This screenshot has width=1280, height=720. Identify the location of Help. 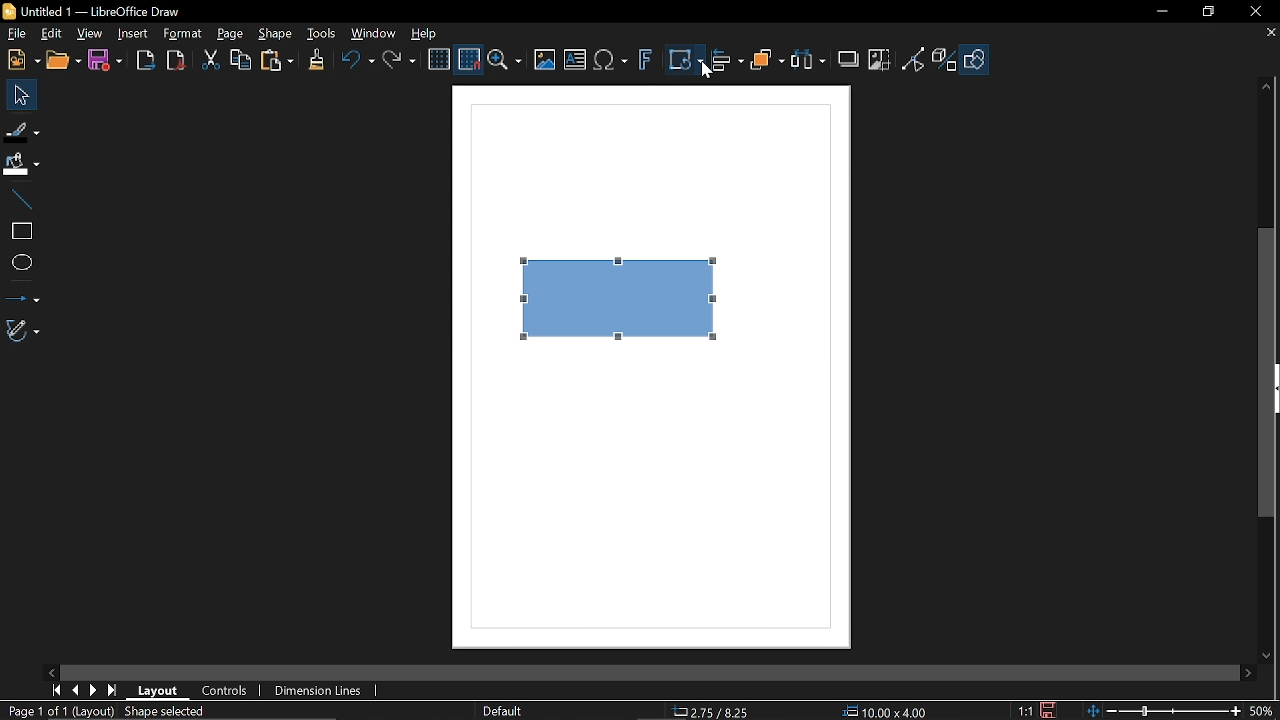
(424, 34).